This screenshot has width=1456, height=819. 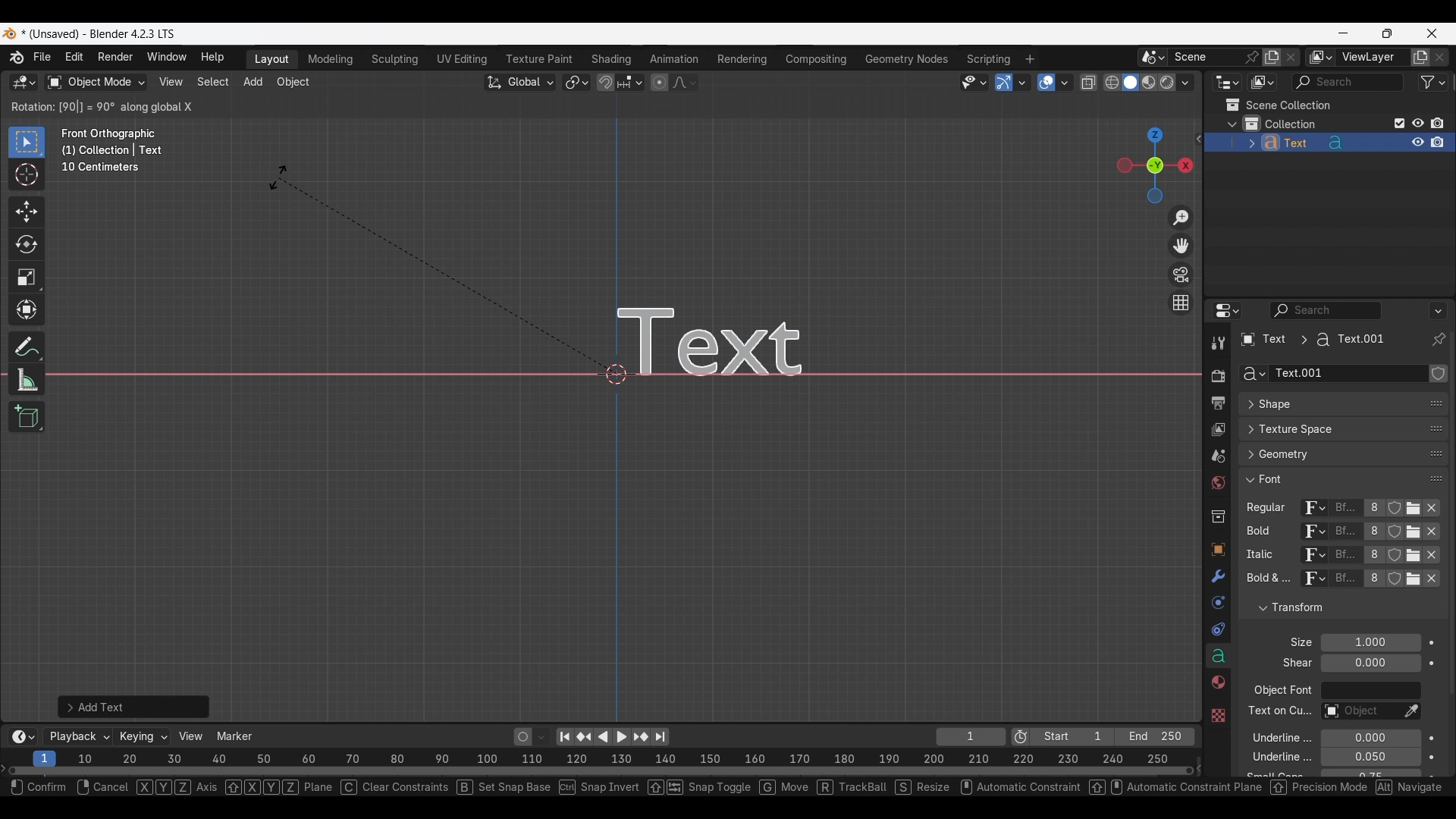 I want to click on Shading workspace , so click(x=613, y=59).